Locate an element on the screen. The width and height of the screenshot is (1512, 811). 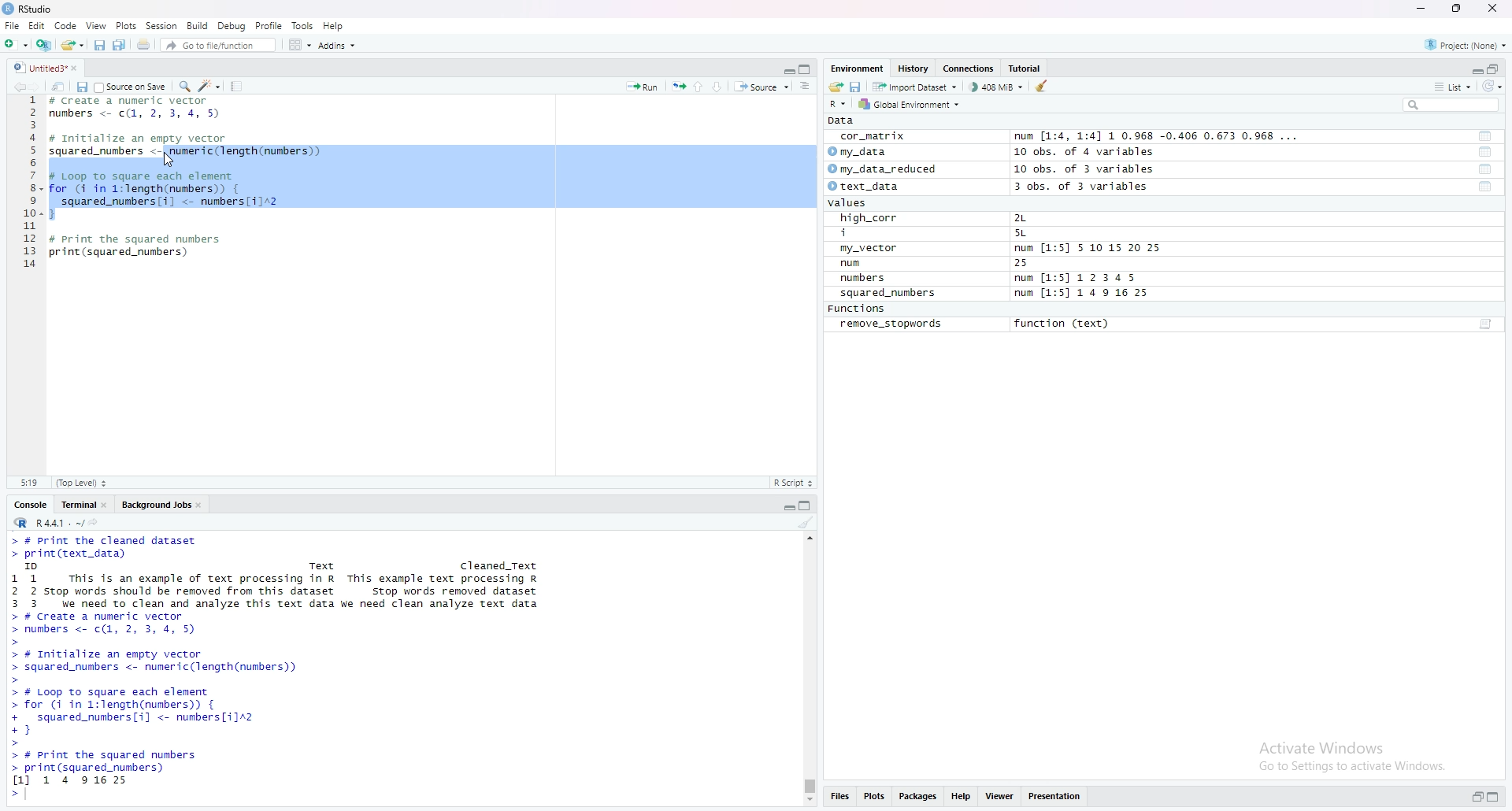
Create a Project is located at coordinates (43, 43).